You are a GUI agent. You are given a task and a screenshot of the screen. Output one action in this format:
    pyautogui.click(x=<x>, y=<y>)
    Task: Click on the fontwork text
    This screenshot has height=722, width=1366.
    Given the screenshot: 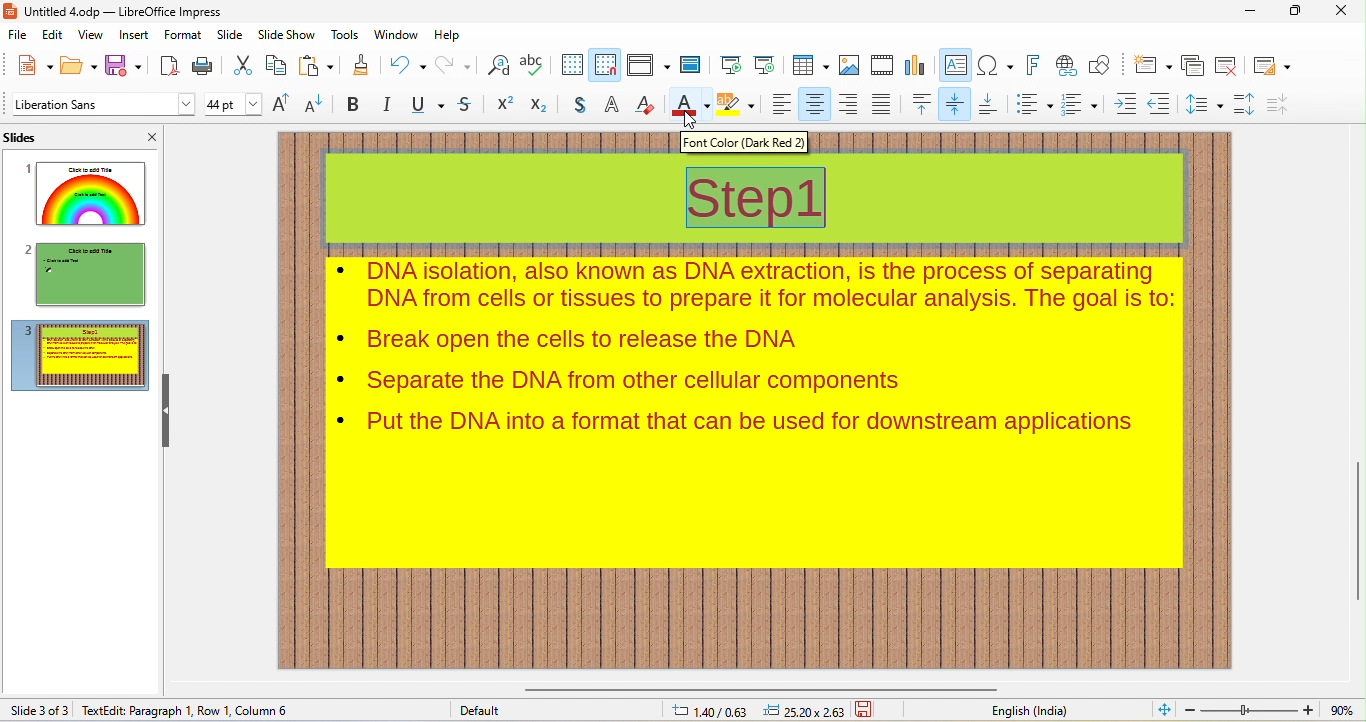 What is the action you would take?
    pyautogui.click(x=1030, y=64)
    